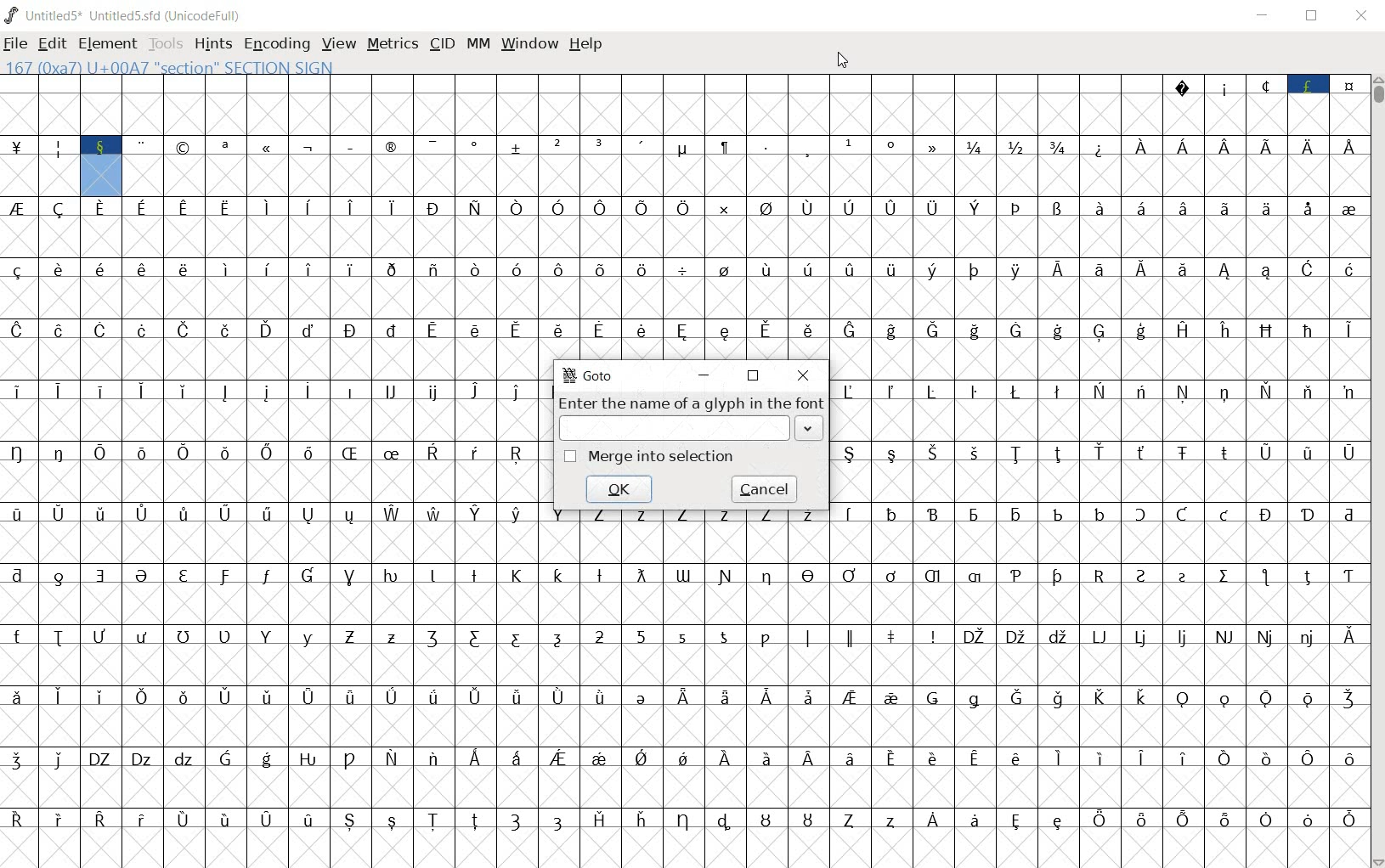 This screenshot has width=1385, height=868. I want to click on scrollbar, so click(1377, 470).